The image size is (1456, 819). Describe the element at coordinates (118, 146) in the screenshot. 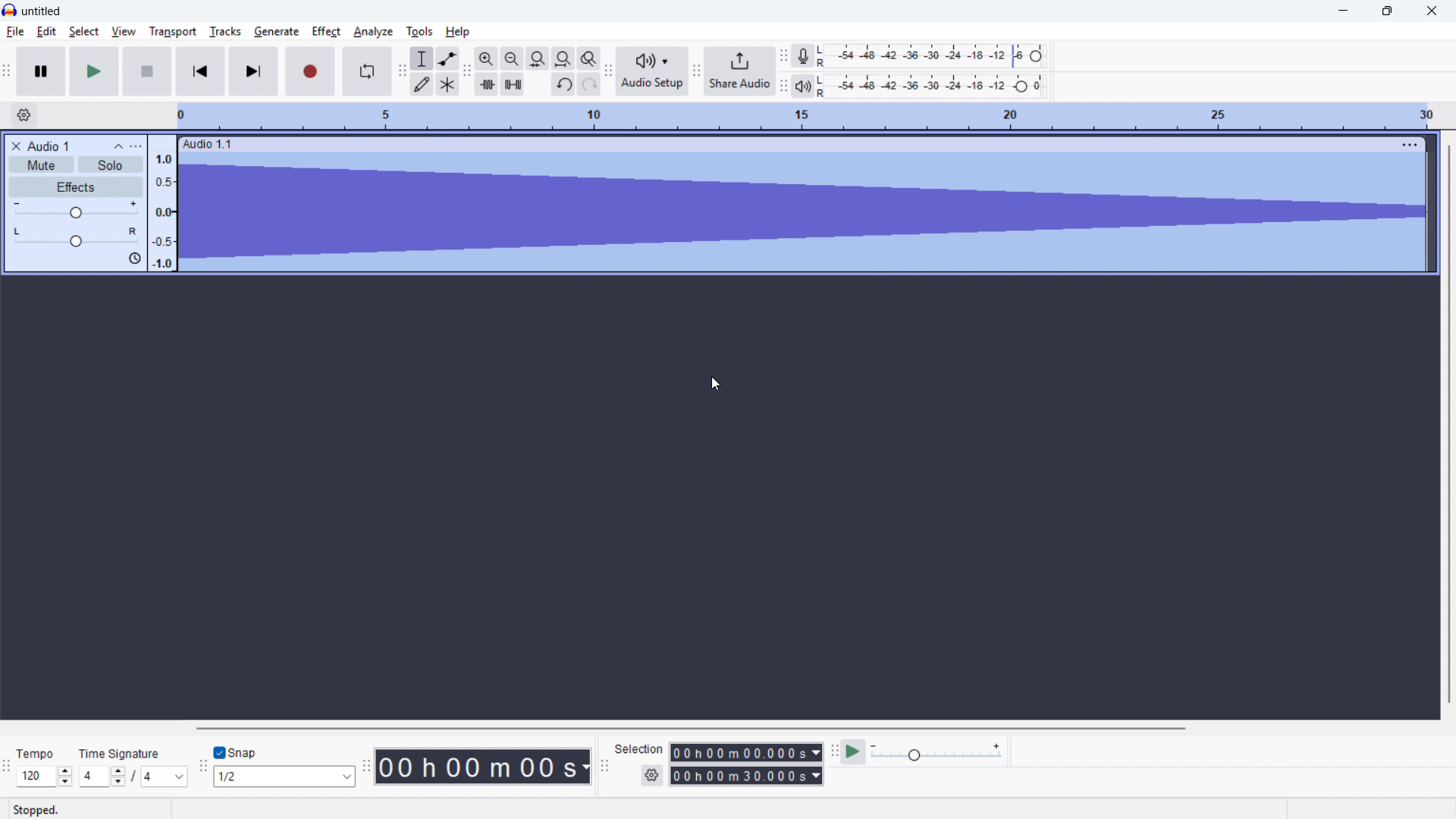

I see `Collapse ` at that location.